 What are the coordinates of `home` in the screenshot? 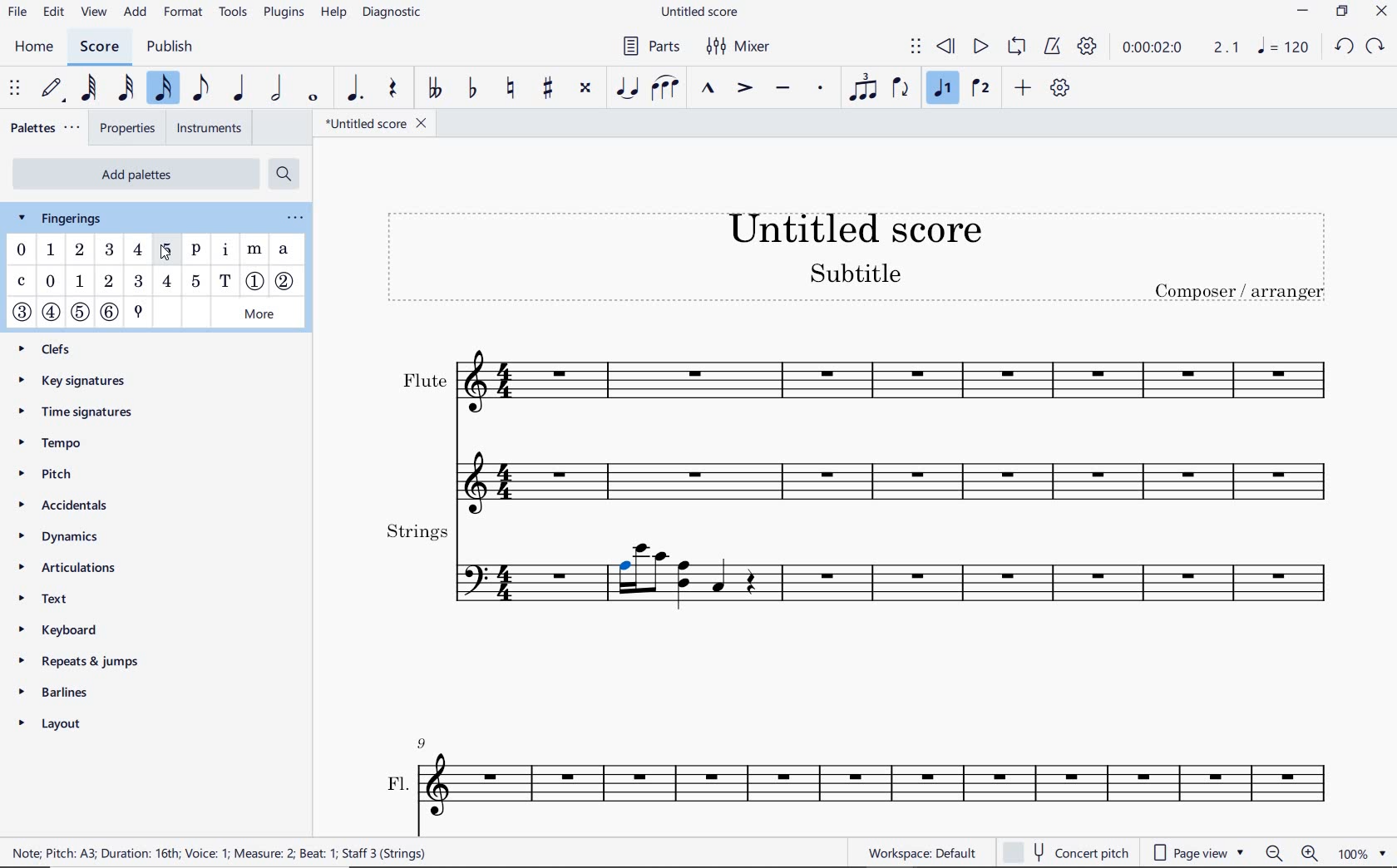 It's located at (33, 47).